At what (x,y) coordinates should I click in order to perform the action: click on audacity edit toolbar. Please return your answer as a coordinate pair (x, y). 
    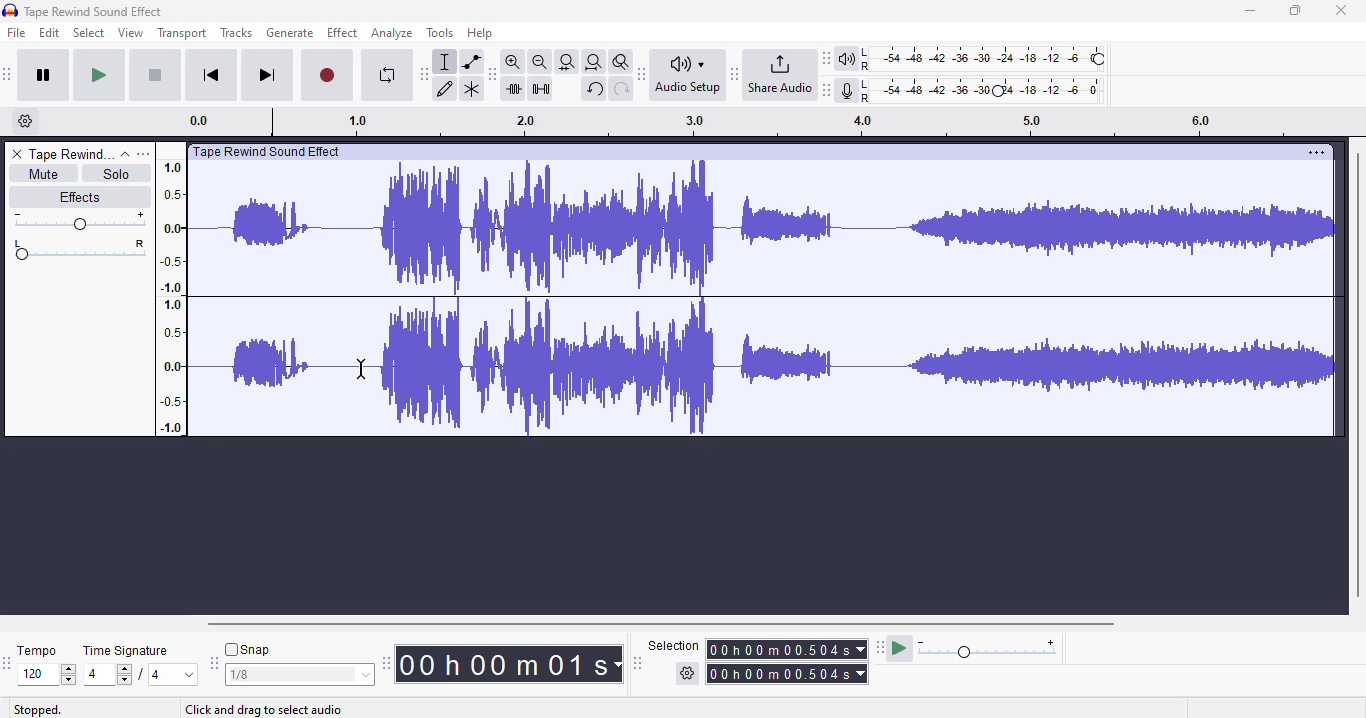
    Looking at the image, I should click on (490, 75).